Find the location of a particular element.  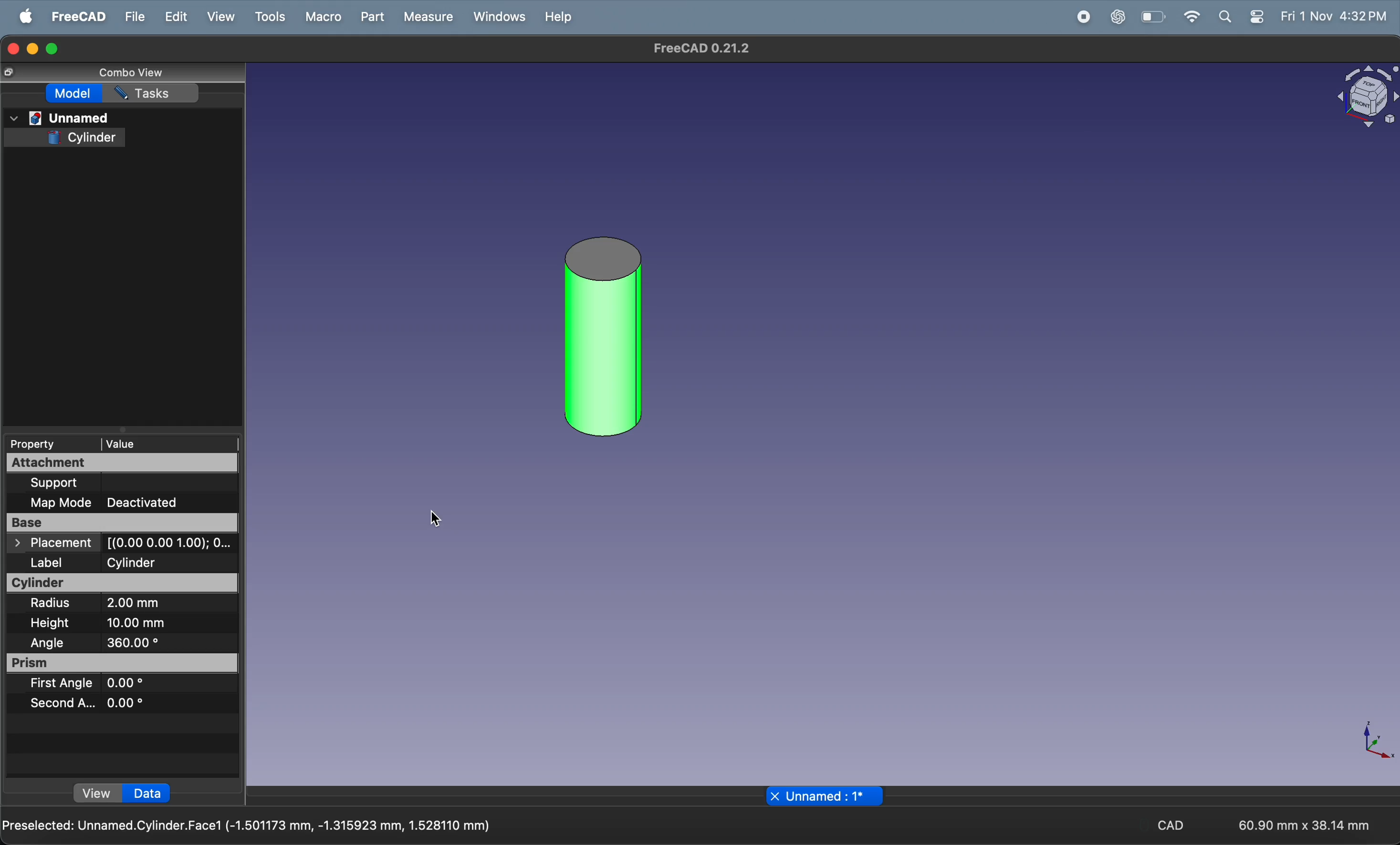

property is located at coordinates (43, 444).